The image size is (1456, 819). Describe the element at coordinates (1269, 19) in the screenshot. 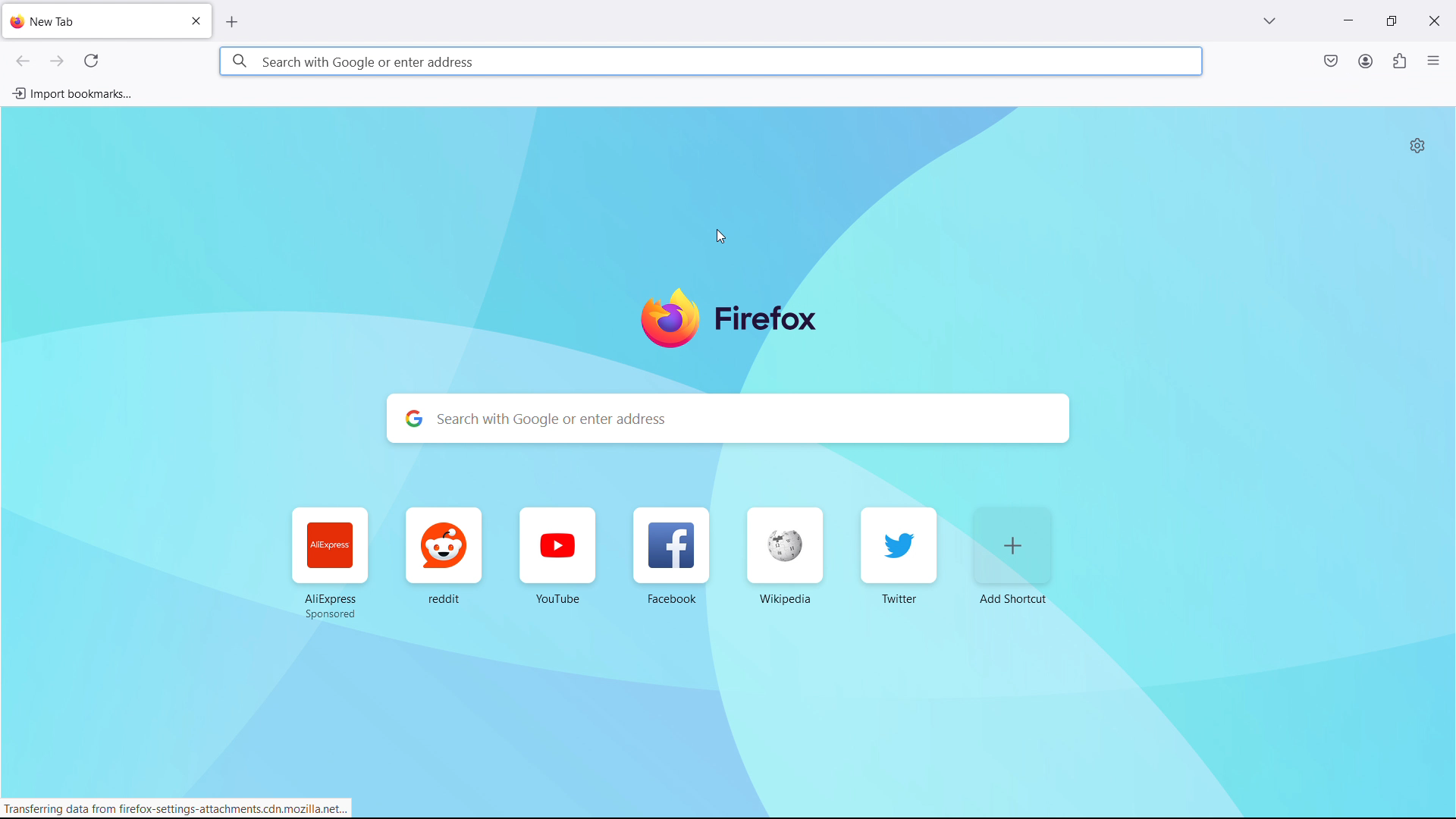

I see `list all tabs` at that location.